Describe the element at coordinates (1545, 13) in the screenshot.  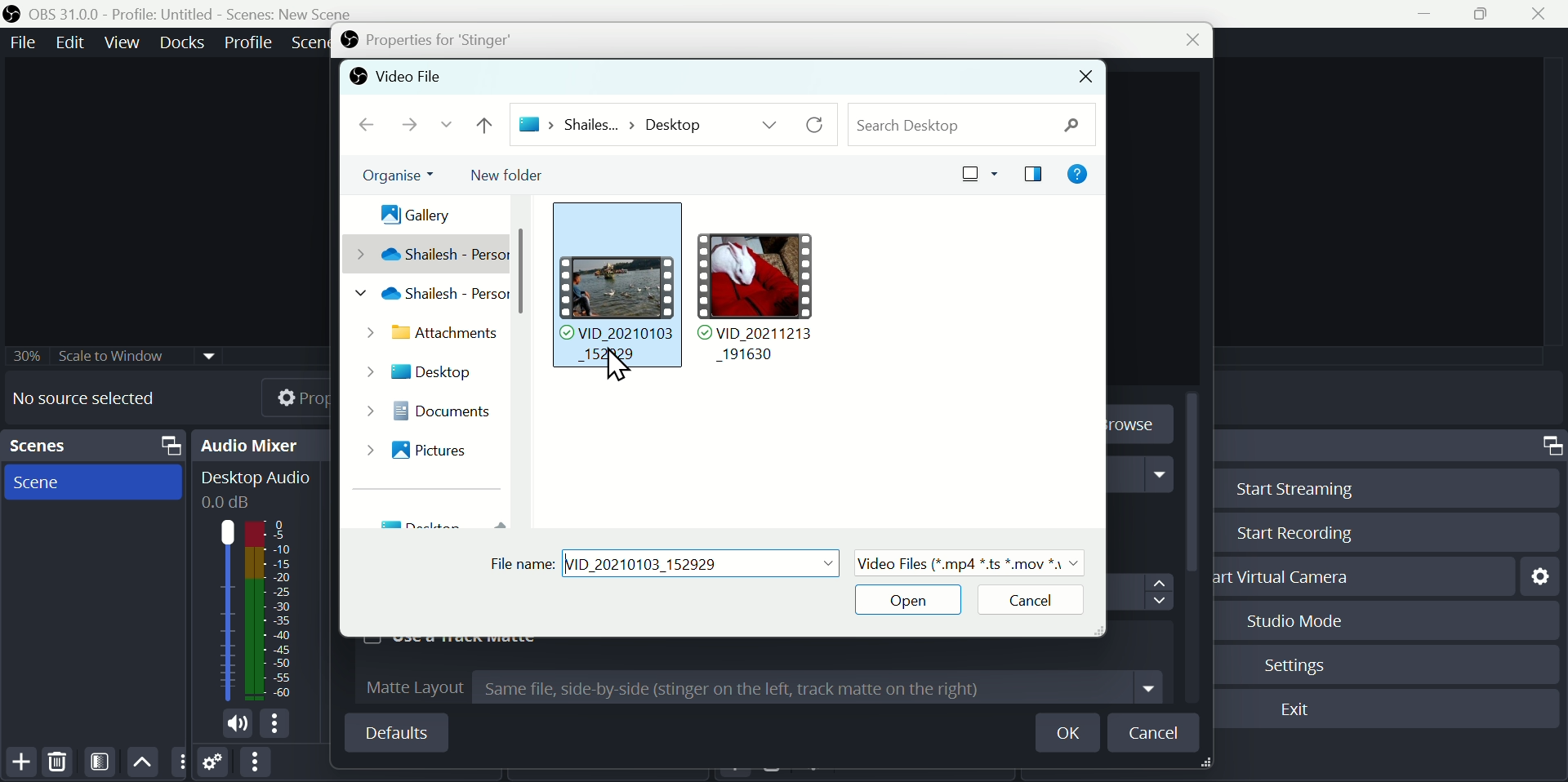
I see `Close` at that location.